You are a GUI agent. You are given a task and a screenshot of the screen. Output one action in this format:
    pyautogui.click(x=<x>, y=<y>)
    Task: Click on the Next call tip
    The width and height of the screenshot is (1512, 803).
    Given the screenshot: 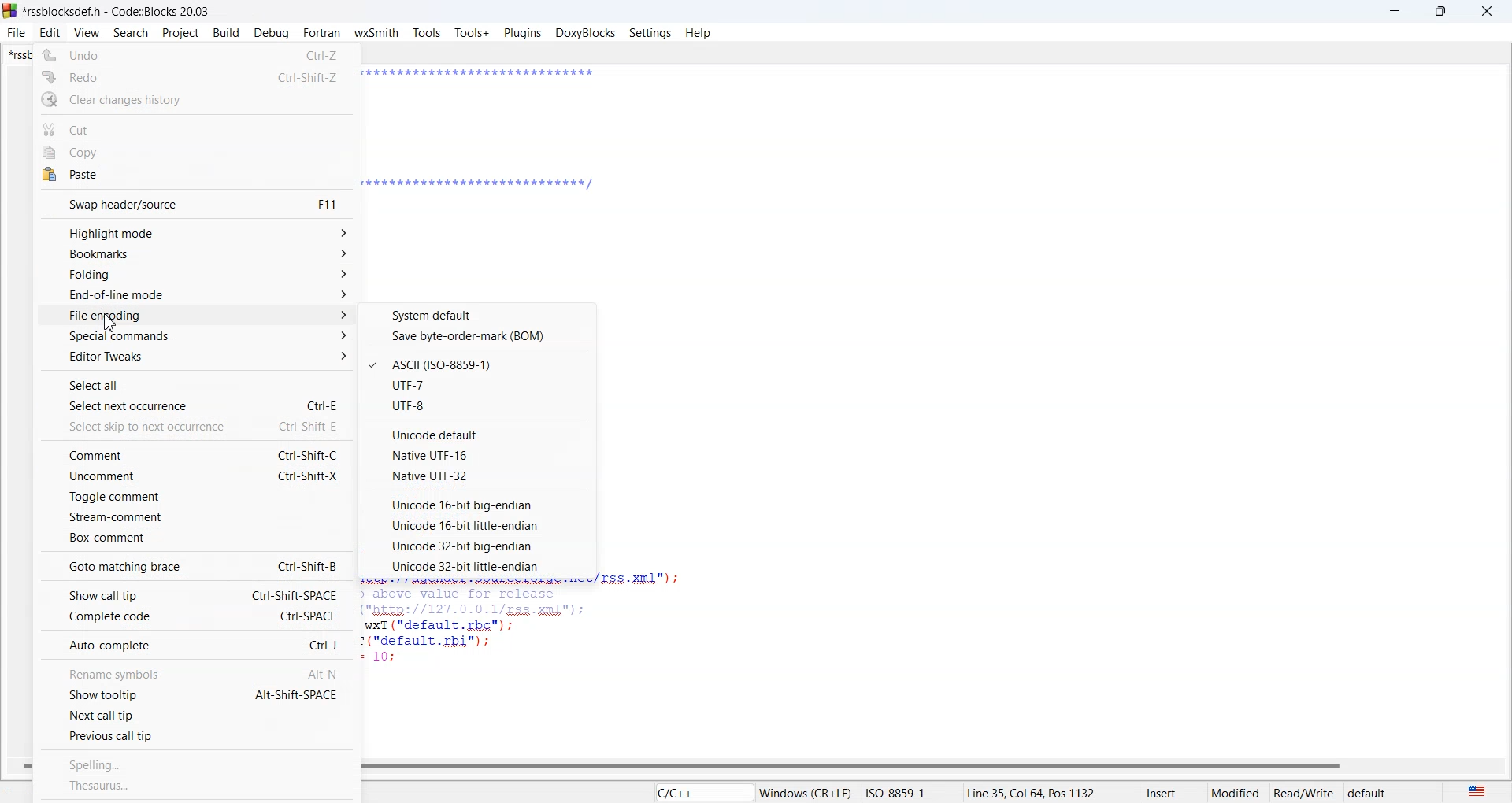 What is the action you would take?
    pyautogui.click(x=195, y=713)
    